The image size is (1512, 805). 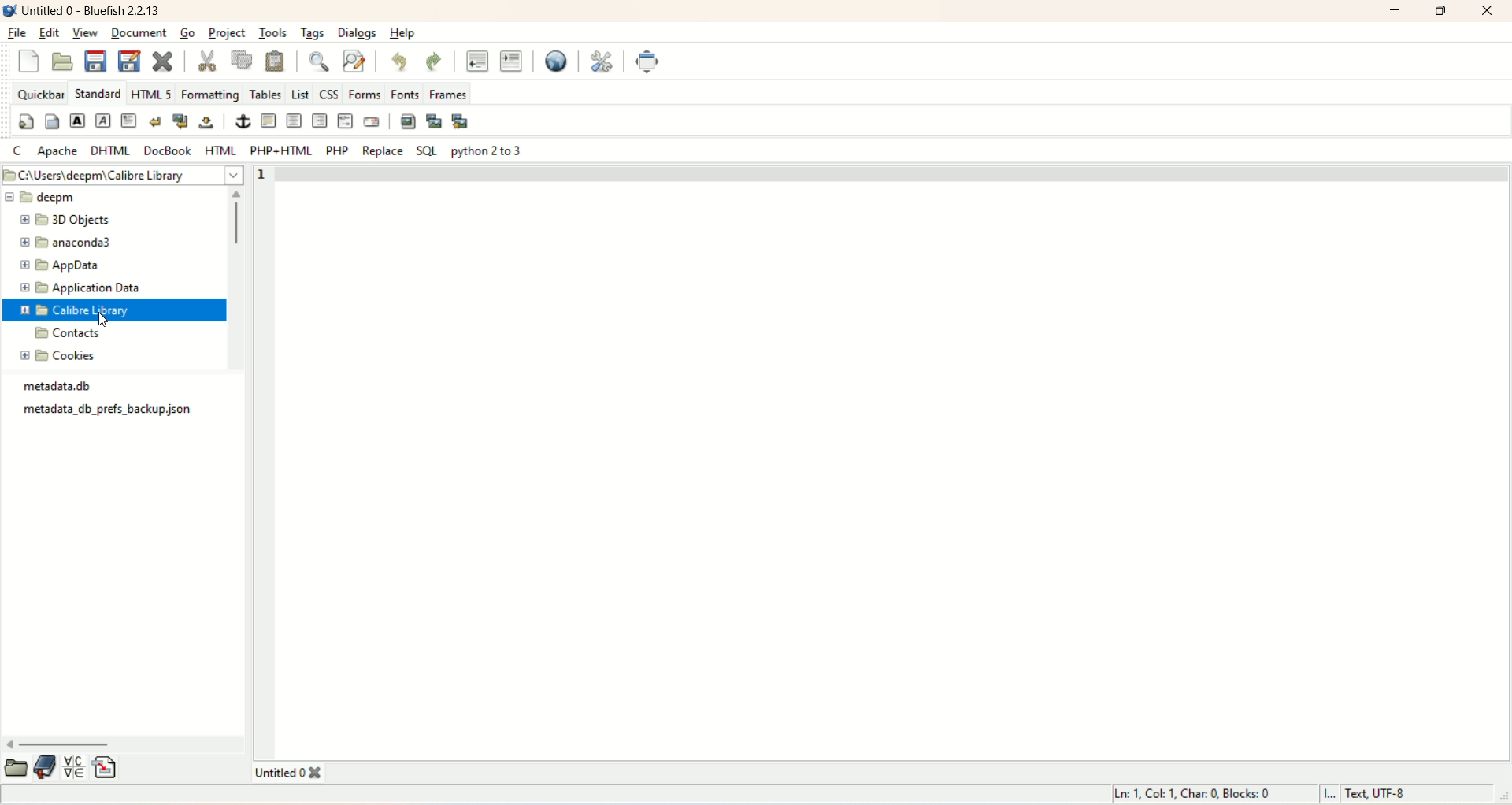 I want to click on calibre, so click(x=78, y=310).